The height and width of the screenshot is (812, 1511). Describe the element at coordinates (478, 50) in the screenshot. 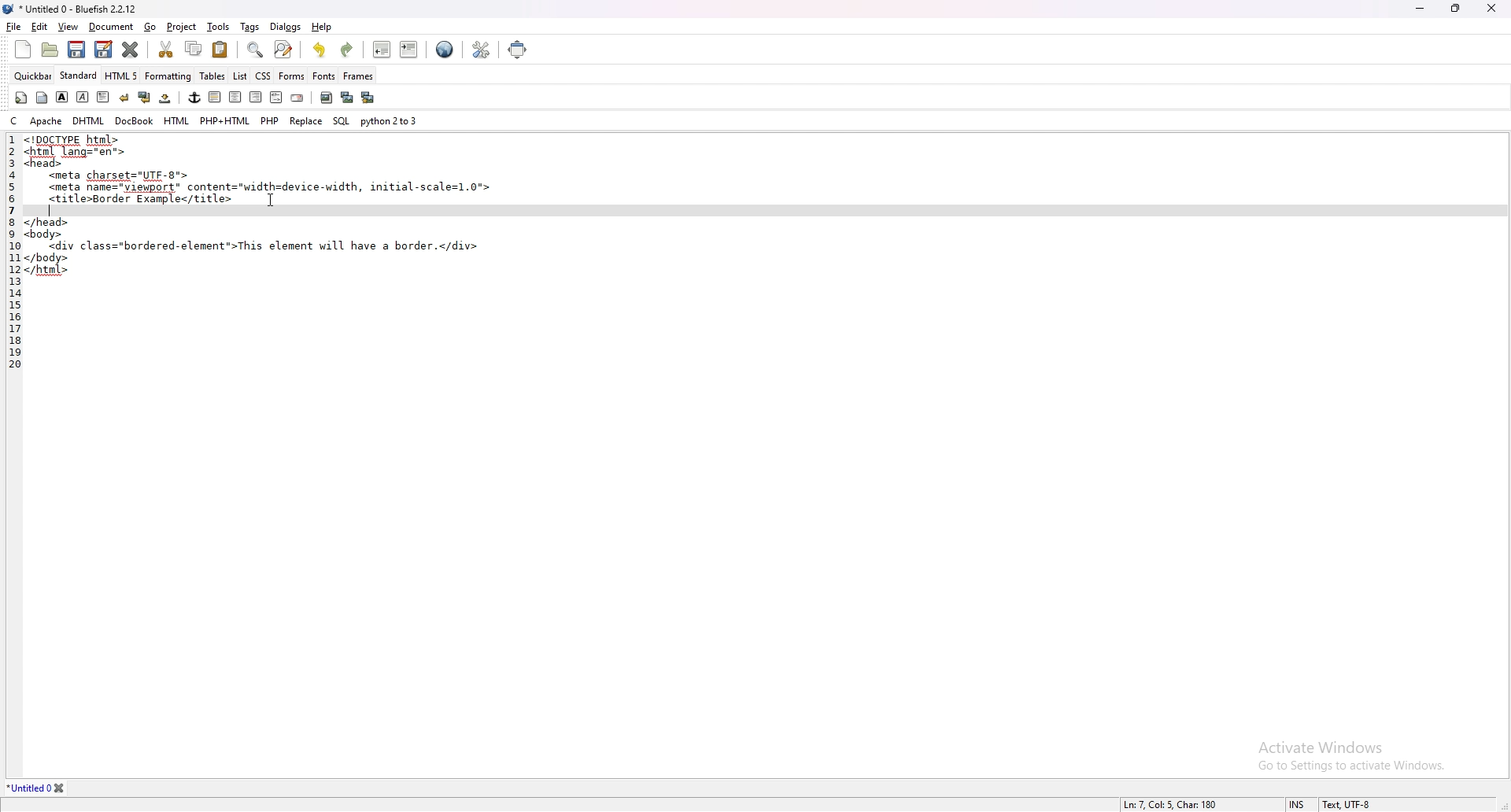

I see `edit preference` at that location.